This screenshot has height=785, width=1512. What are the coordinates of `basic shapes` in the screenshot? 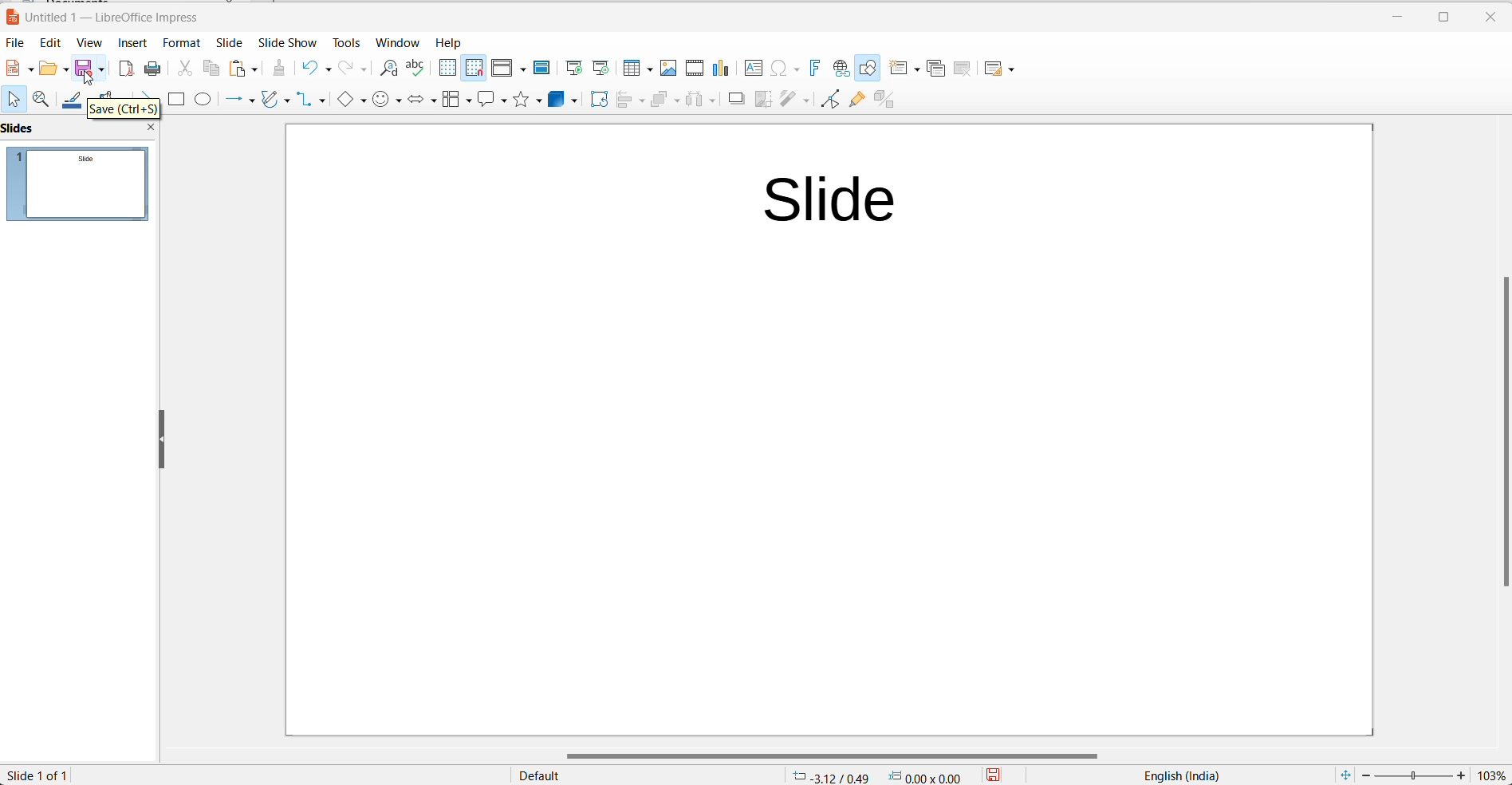 It's located at (349, 101).